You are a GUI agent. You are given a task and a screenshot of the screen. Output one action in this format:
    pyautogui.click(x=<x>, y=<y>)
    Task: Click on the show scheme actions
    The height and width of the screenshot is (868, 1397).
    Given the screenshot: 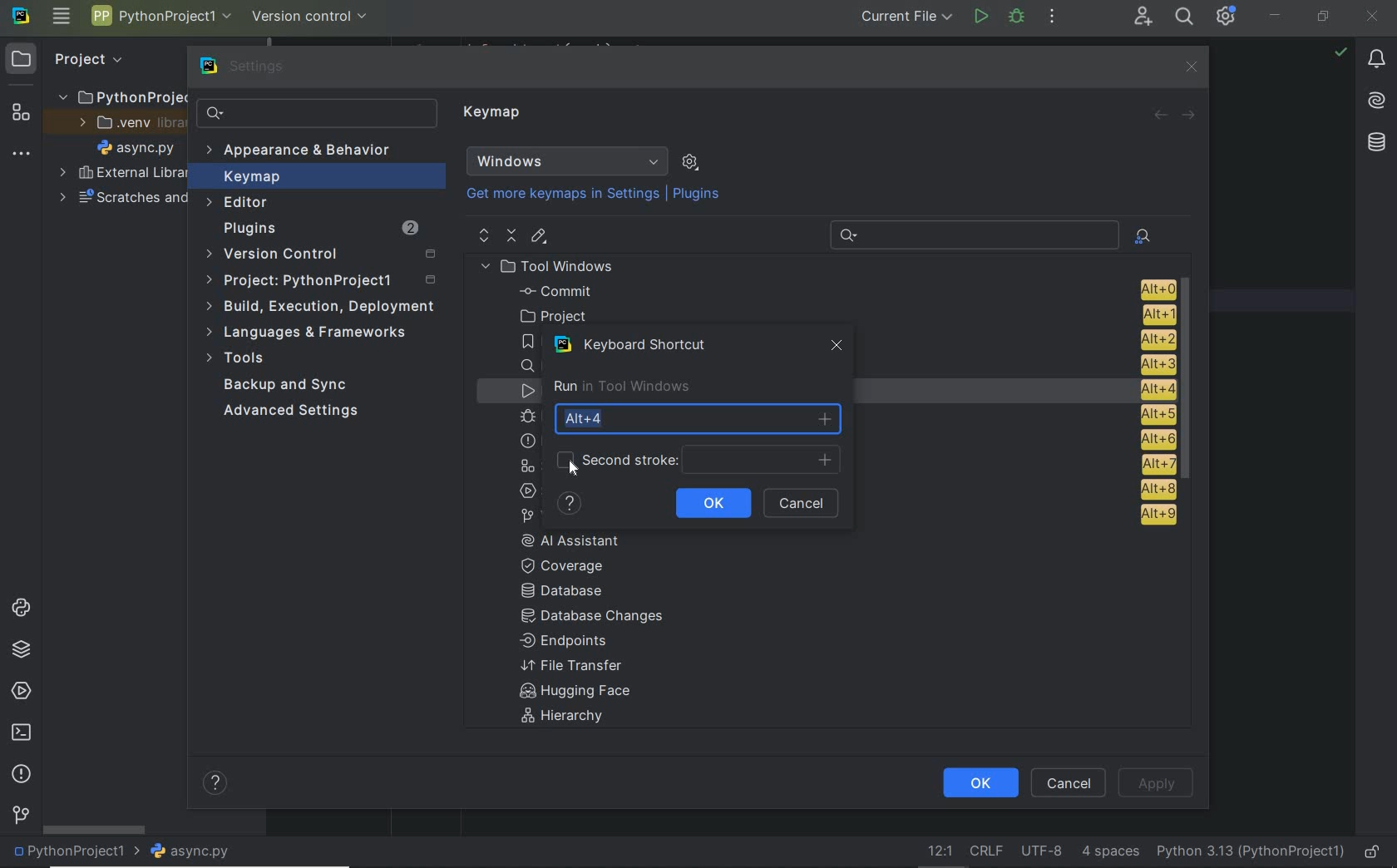 What is the action you would take?
    pyautogui.click(x=690, y=161)
    